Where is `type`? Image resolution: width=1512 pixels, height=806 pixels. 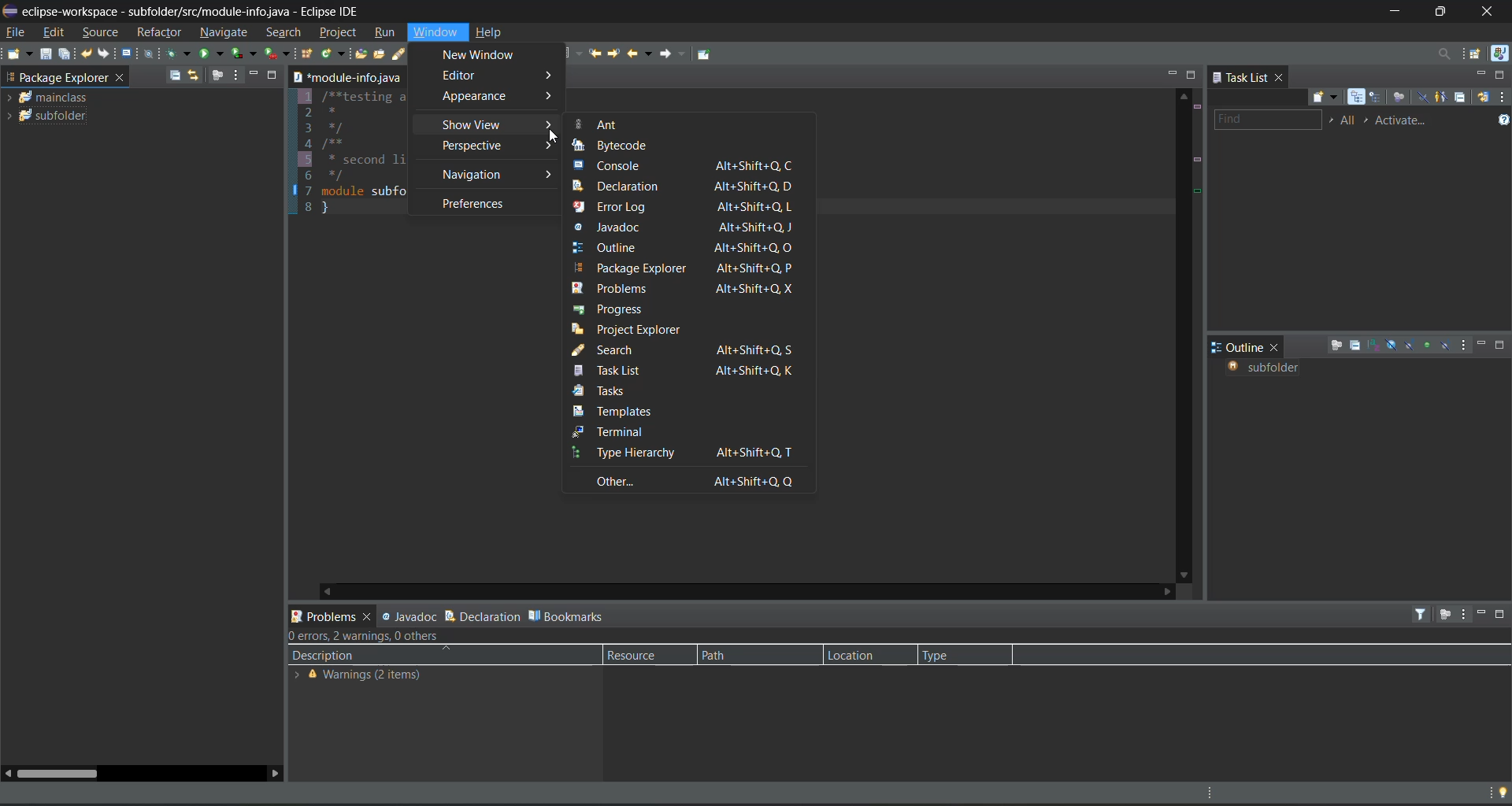
type is located at coordinates (947, 656).